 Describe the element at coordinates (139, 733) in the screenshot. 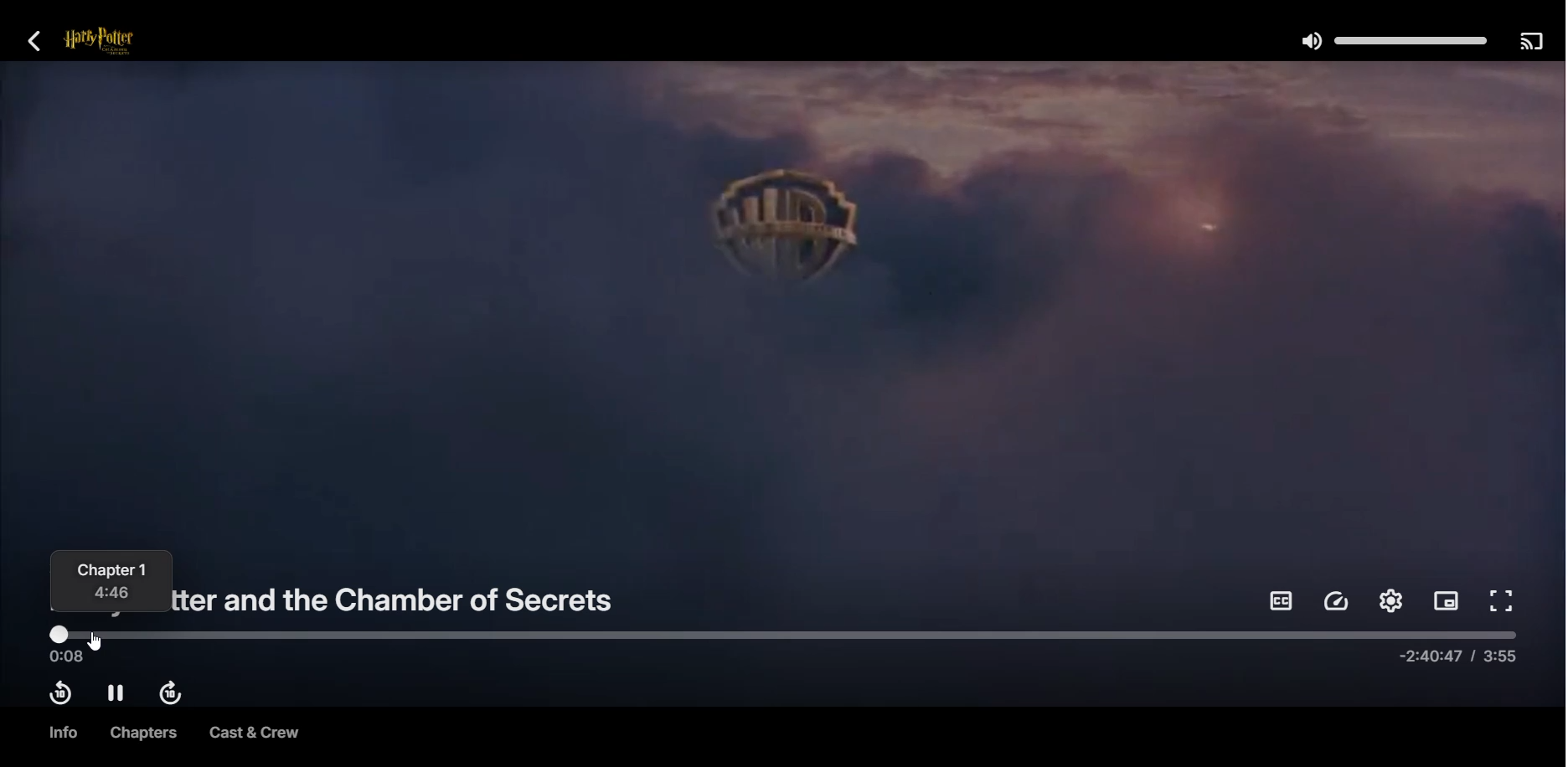

I see `Chapters` at that location.